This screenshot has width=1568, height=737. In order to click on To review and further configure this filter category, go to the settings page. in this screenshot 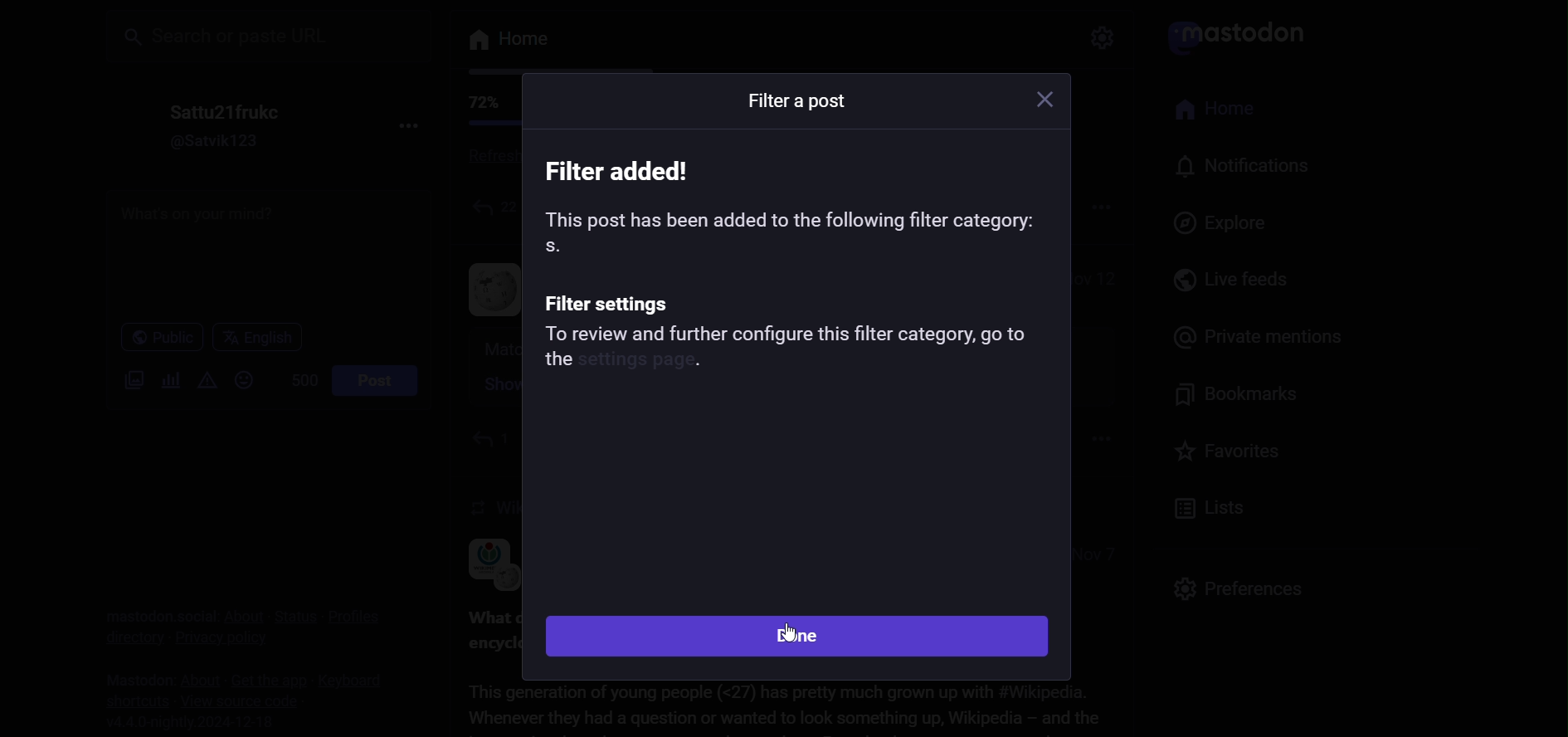, I will do `click(788, 350)`.